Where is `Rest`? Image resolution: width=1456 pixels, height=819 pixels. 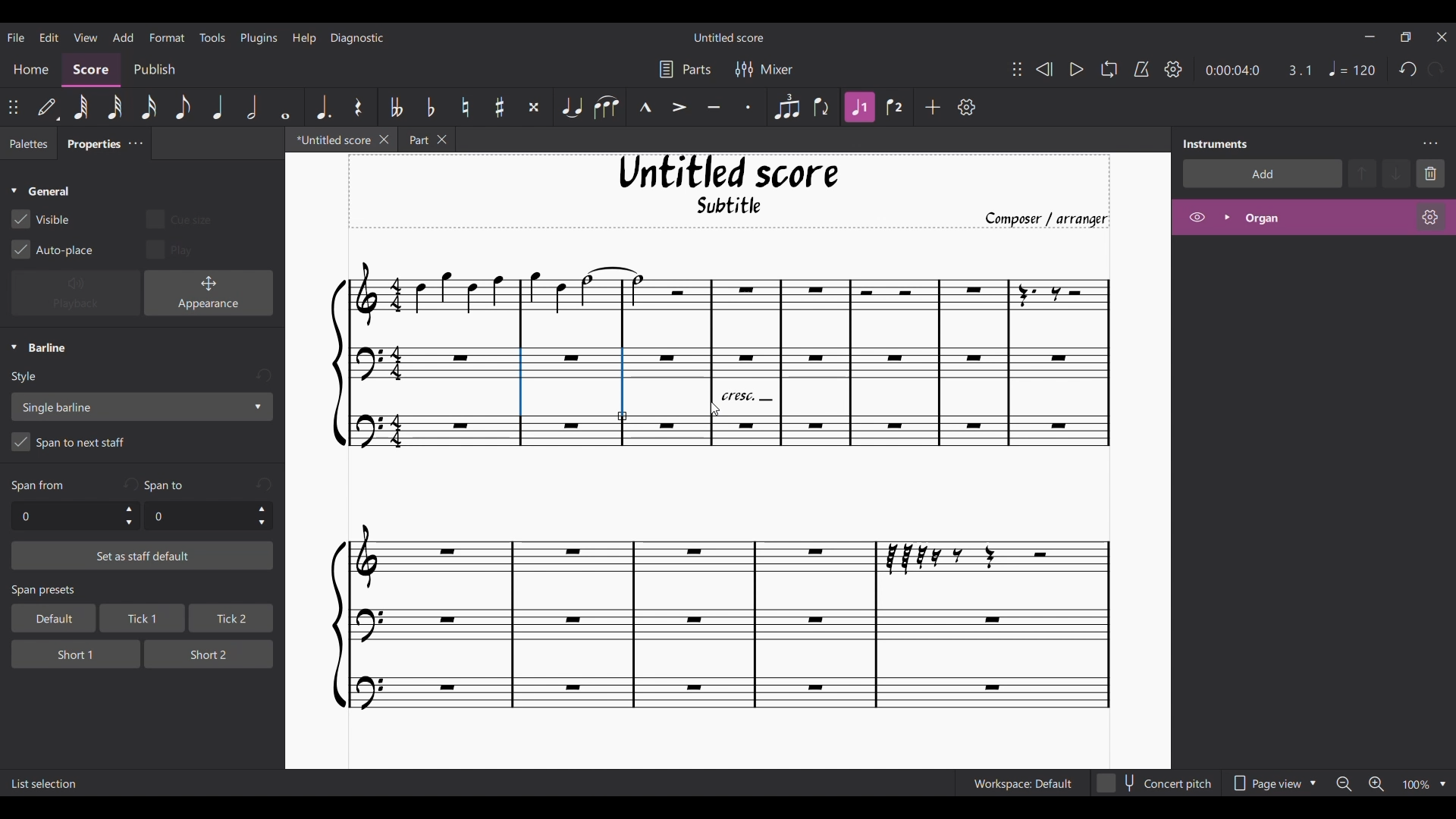 Rest is located at coordinates (358, 107).